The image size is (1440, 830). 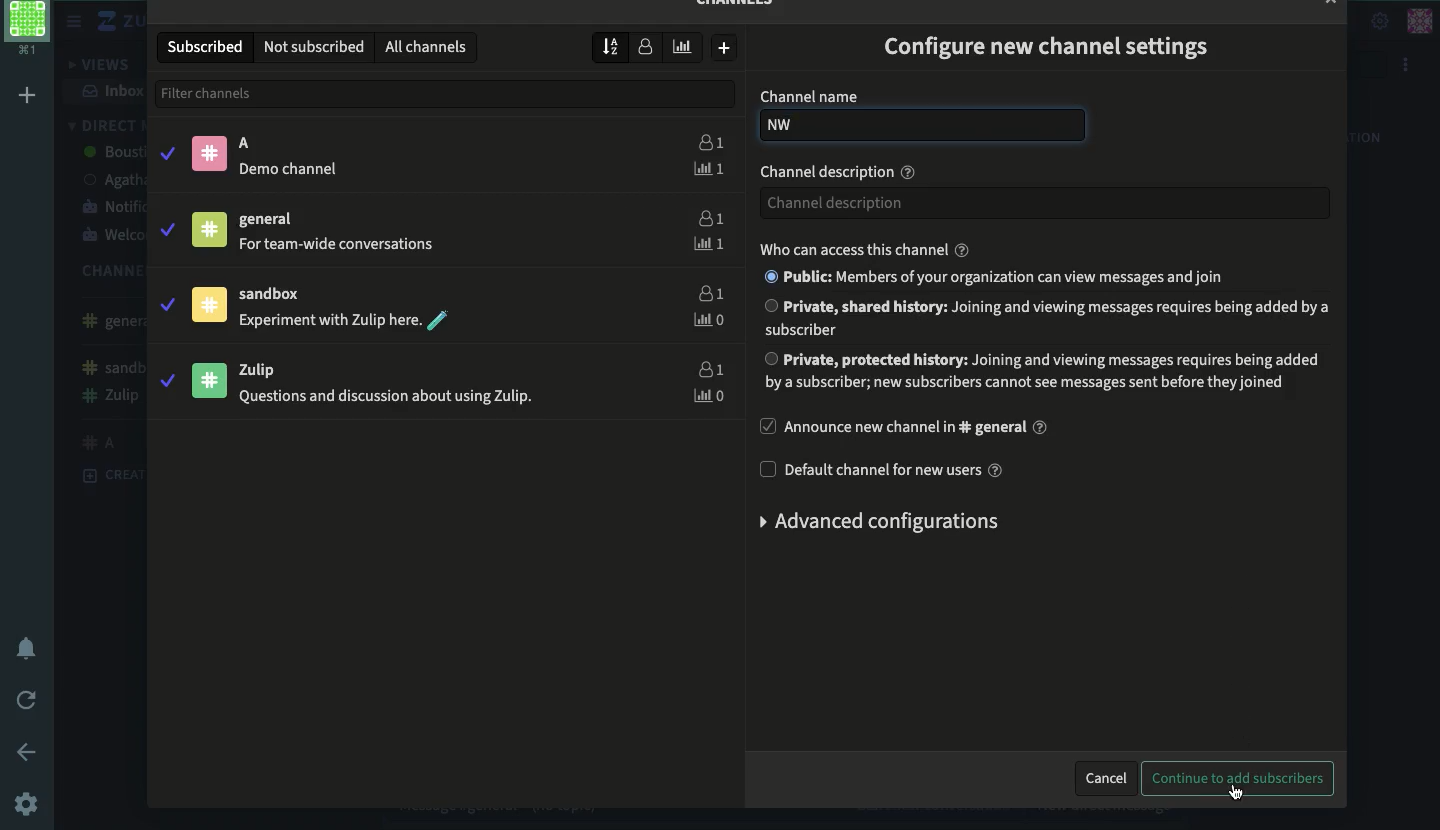 What do you see at coordinates (278, 294) in the screenshot?
I see `sandbox` at bounding box center [278, 294].